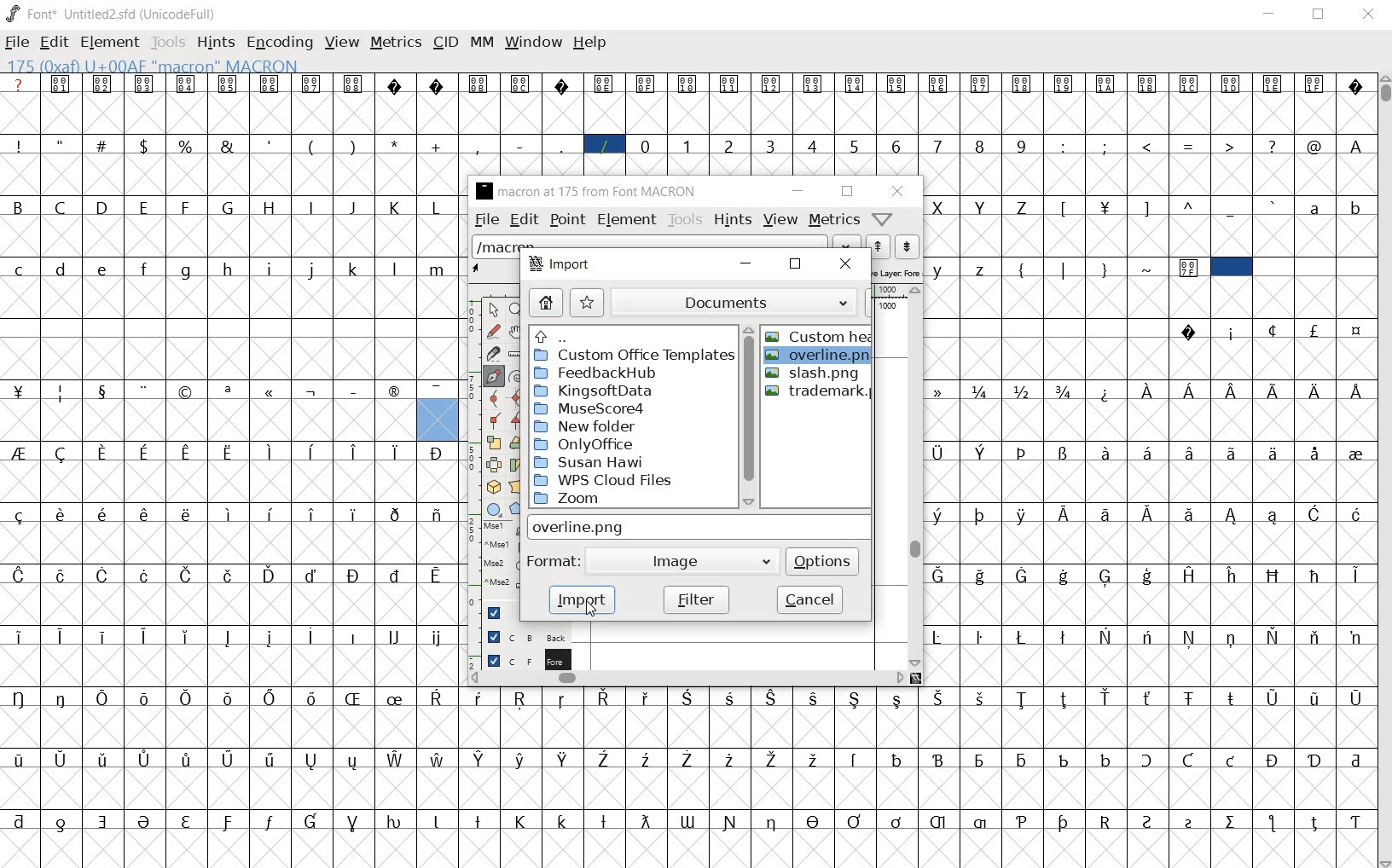  Describe the element at coordinates (187, 144) in the screenshot. I see `%` at that location.